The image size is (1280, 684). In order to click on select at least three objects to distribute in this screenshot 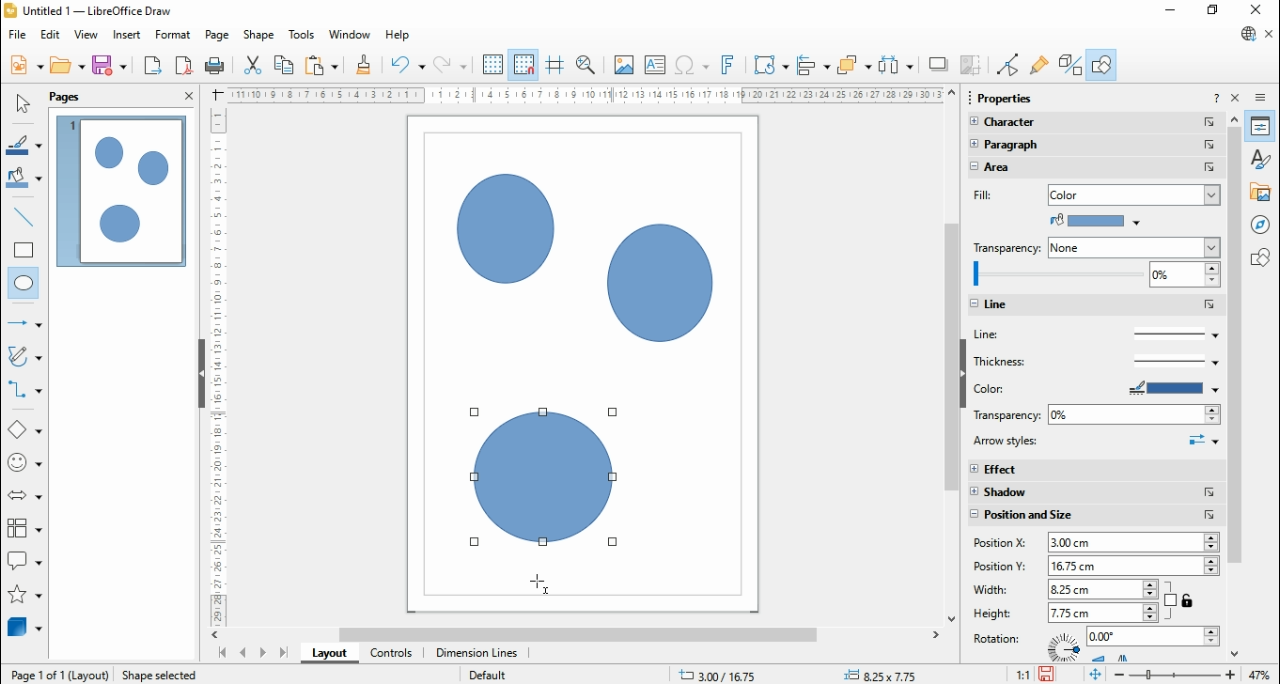, I will do `click(896, 66)`.